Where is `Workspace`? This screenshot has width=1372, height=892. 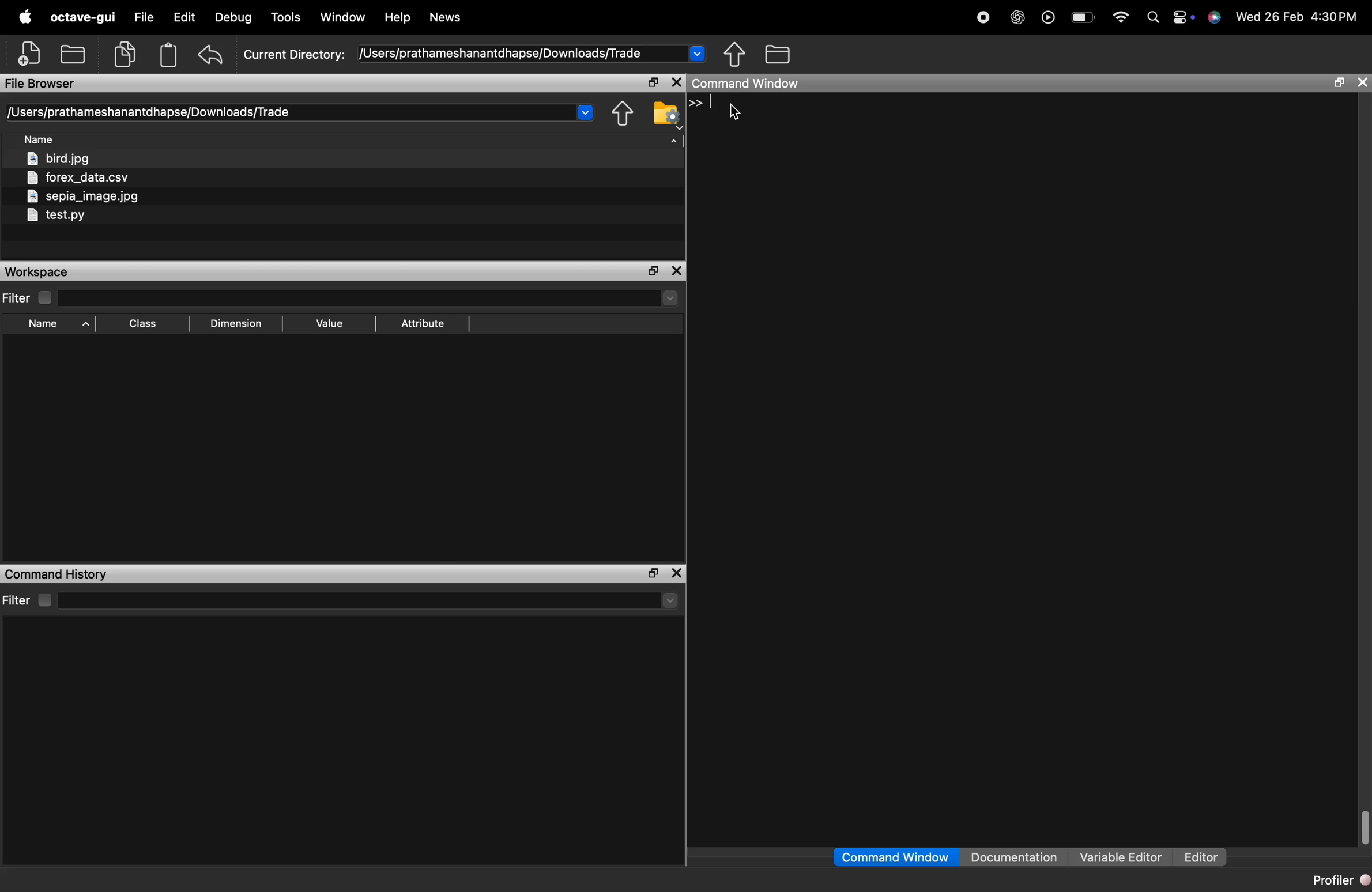
Workspace is located at coordinates (37, 273).